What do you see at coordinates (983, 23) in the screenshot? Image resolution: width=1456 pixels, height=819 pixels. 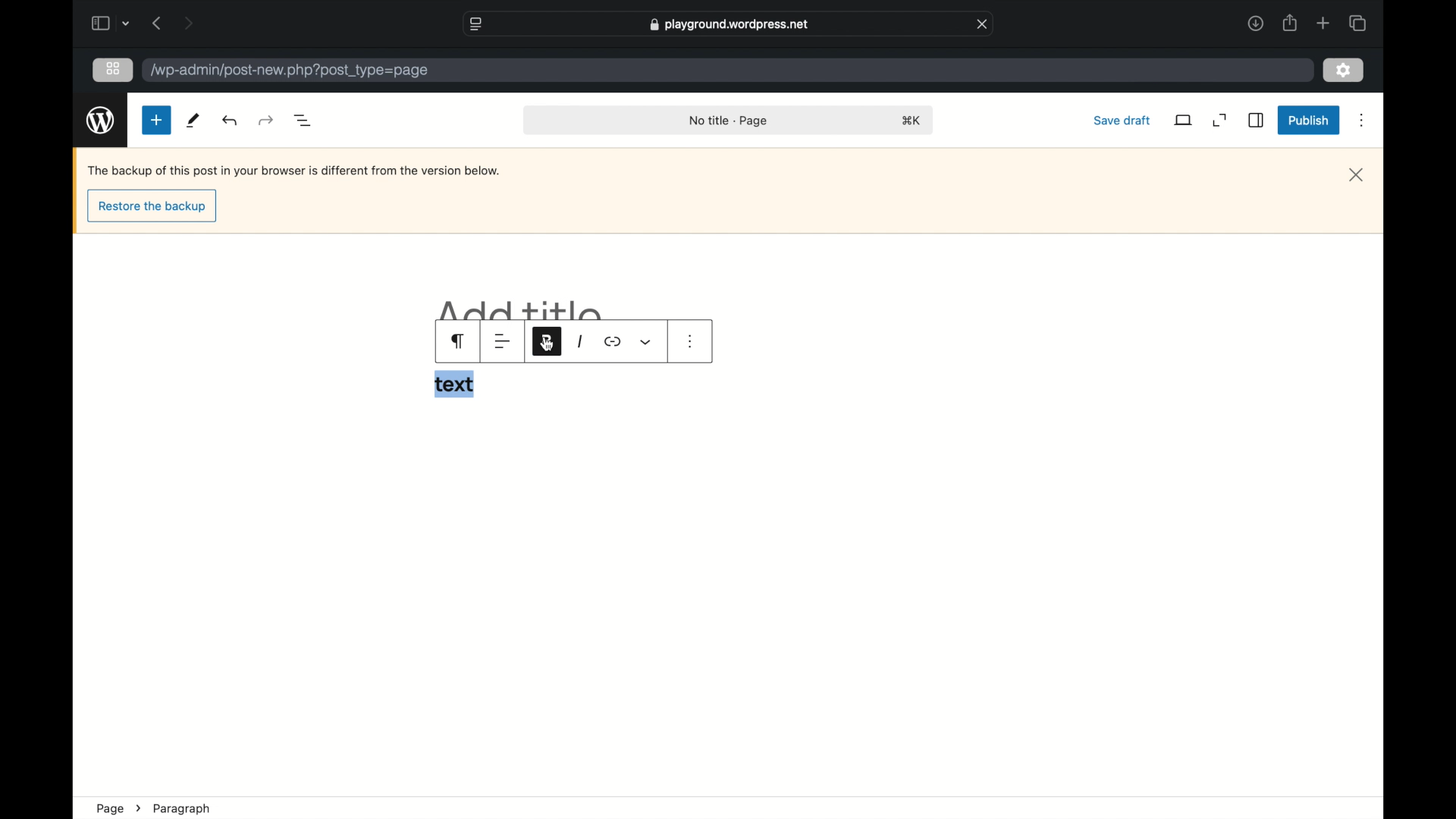 I see `close` at bounding box center [983, 23].